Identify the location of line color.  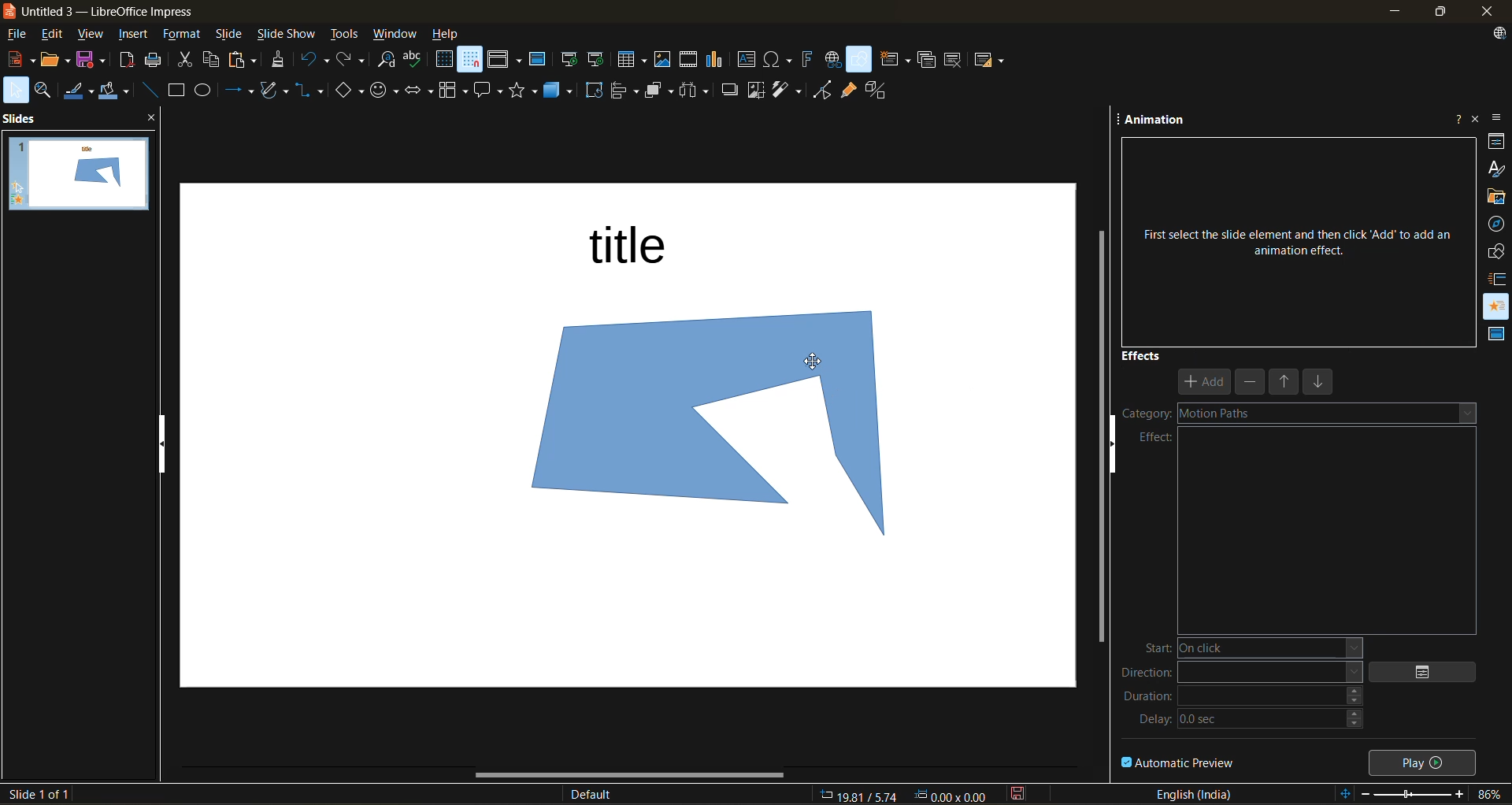
(80, 91).